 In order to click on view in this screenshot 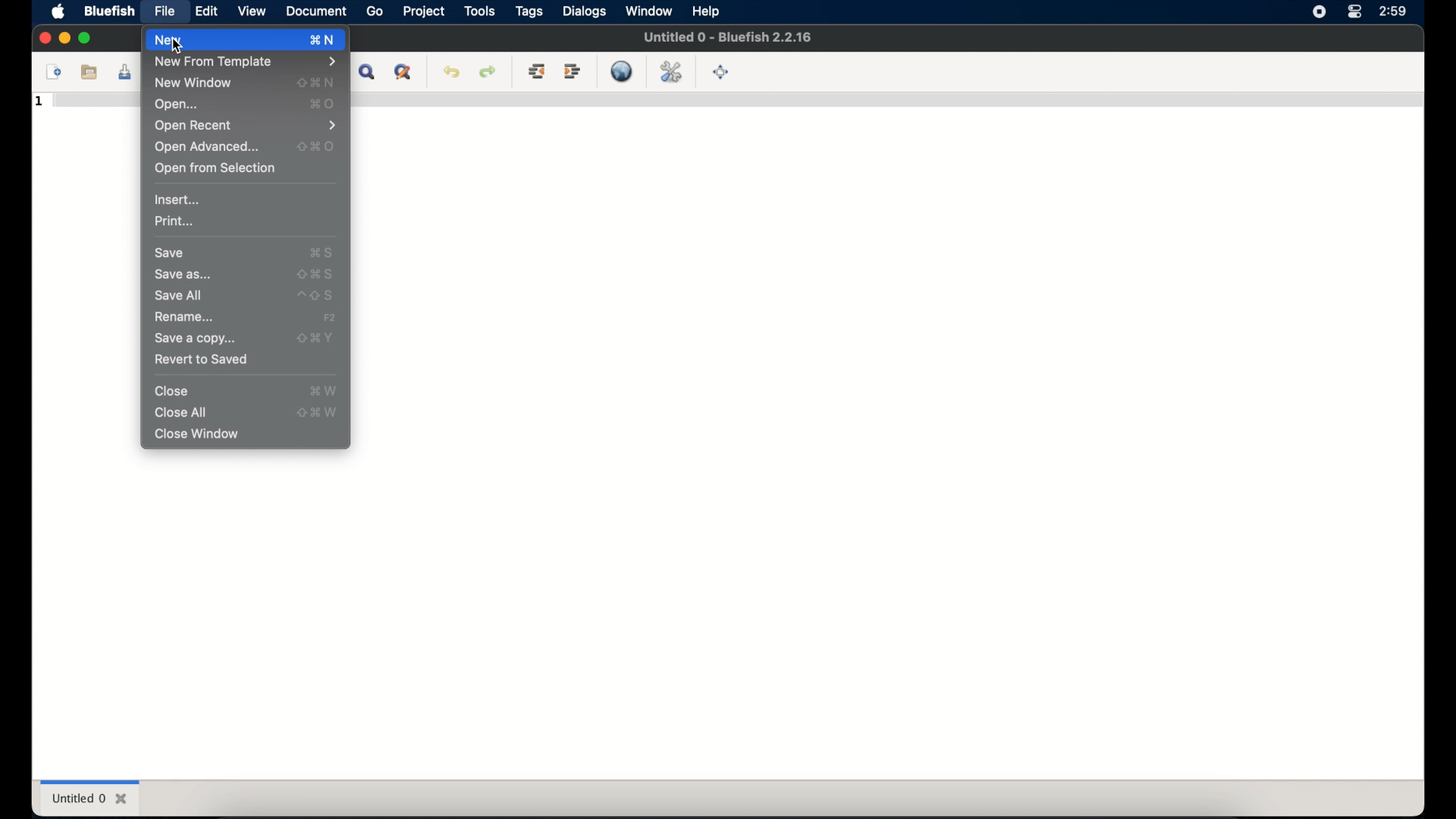, I will do `click(252, 11)`.